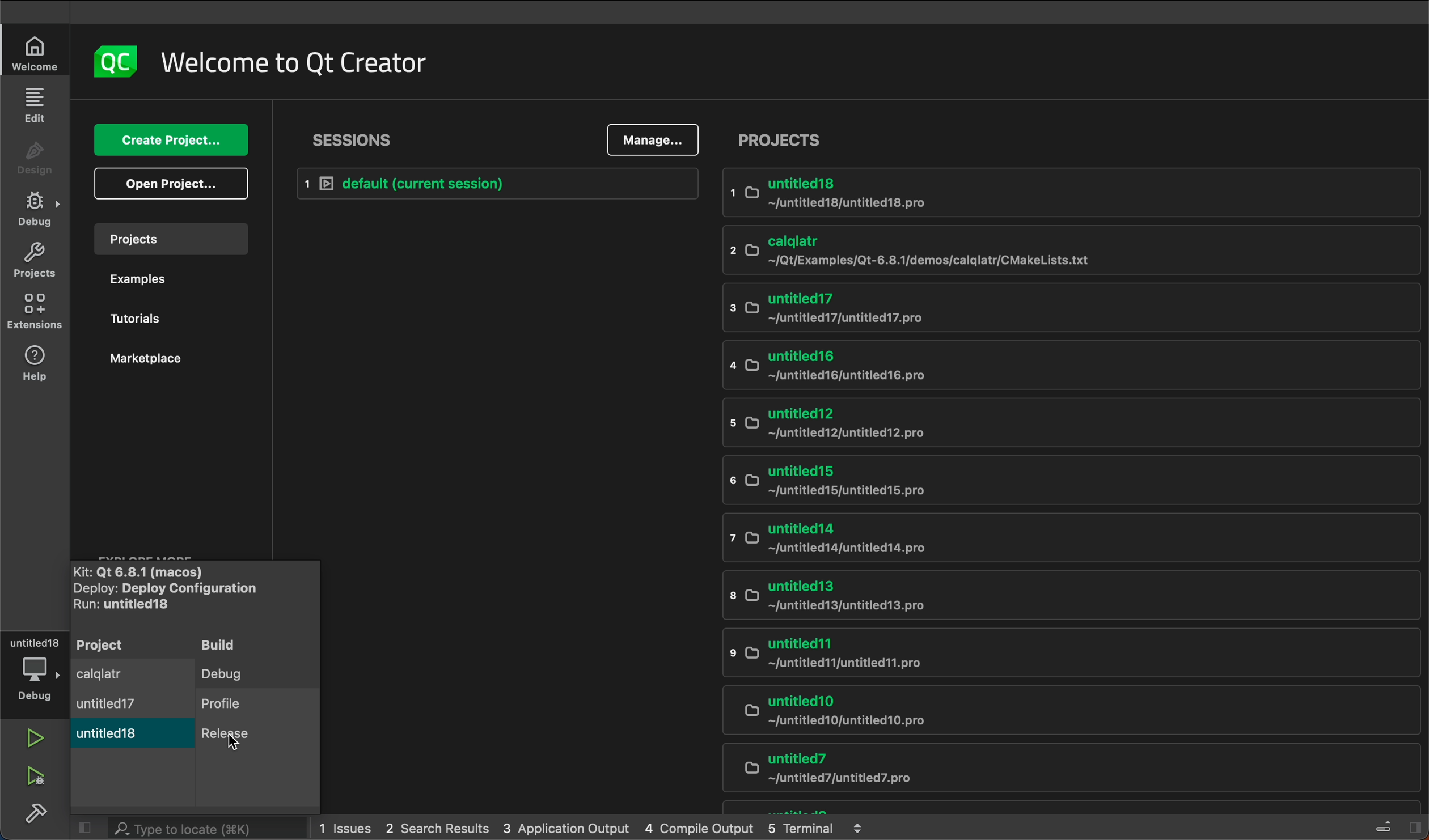 This screenshot has width=1429, height=840. Describe the element at coordinates (1398, 825) in the screenshot. I see `toggle sidebar` at that location.